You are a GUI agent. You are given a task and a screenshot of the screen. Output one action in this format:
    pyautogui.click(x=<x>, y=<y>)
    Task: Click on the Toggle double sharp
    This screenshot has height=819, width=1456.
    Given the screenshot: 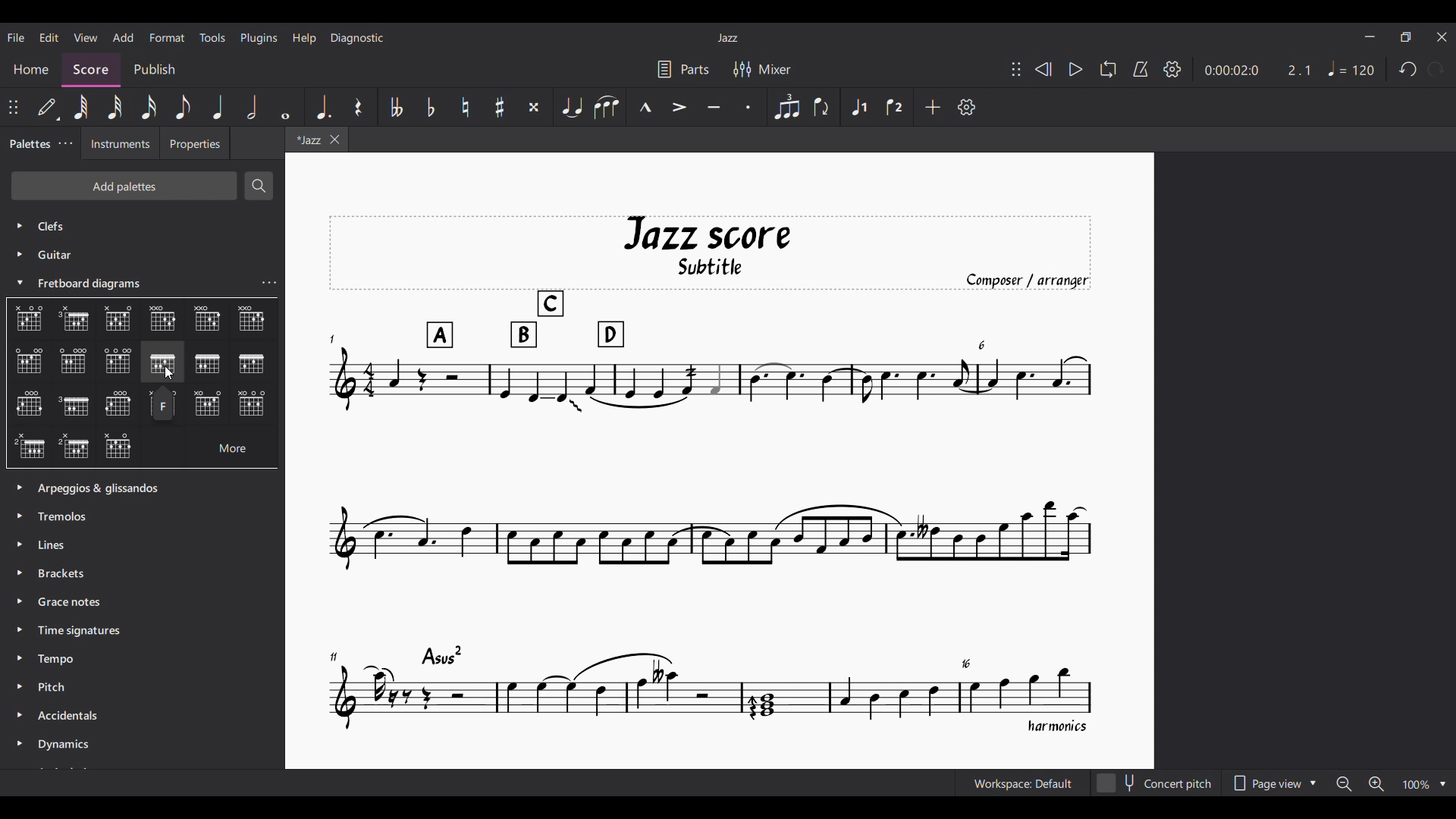 What is the action you would take?
    pyautogui.click(x=535, y=107)
    